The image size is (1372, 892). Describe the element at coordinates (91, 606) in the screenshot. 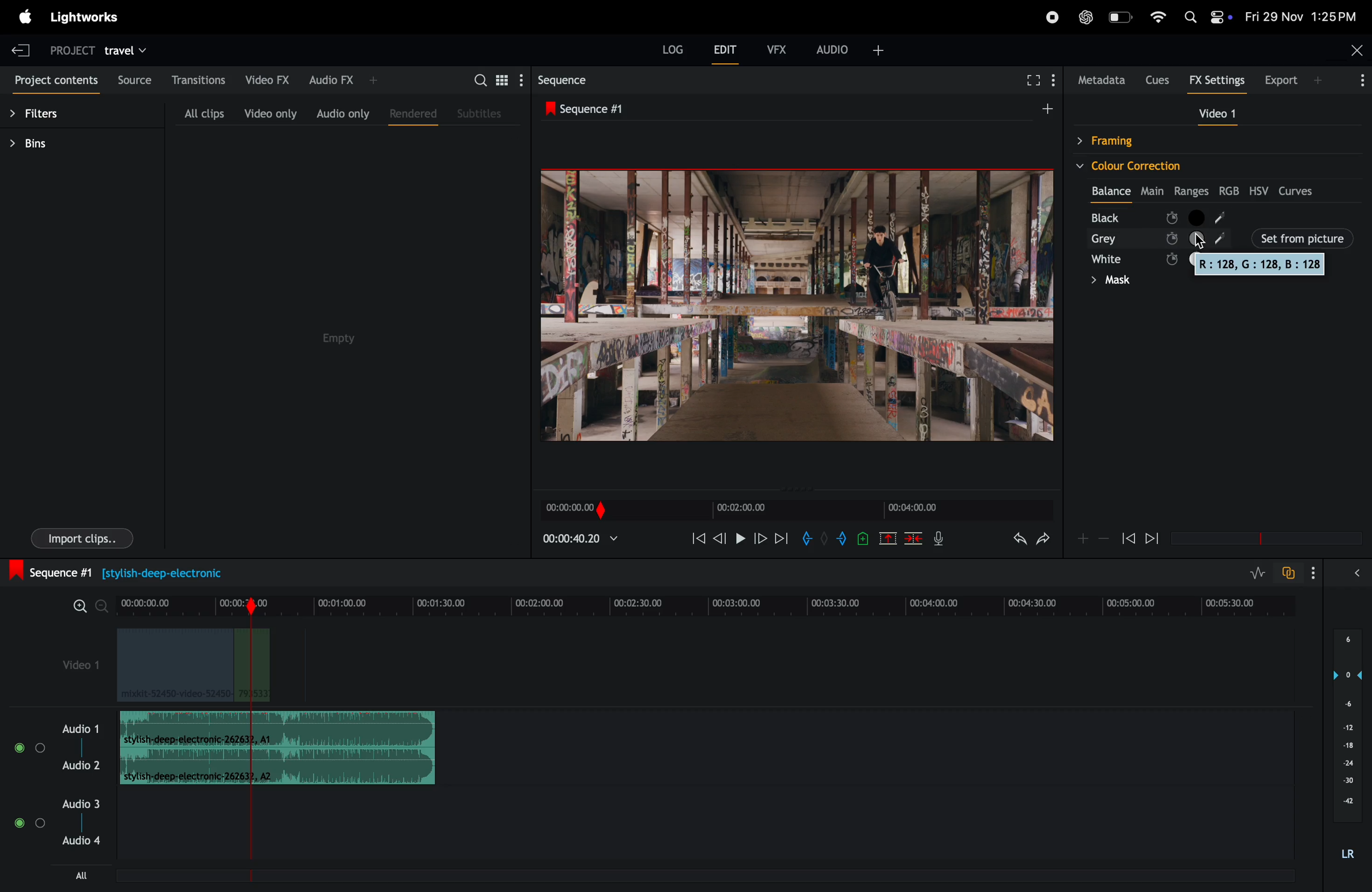

I see `zoom in zoom out` at that location.